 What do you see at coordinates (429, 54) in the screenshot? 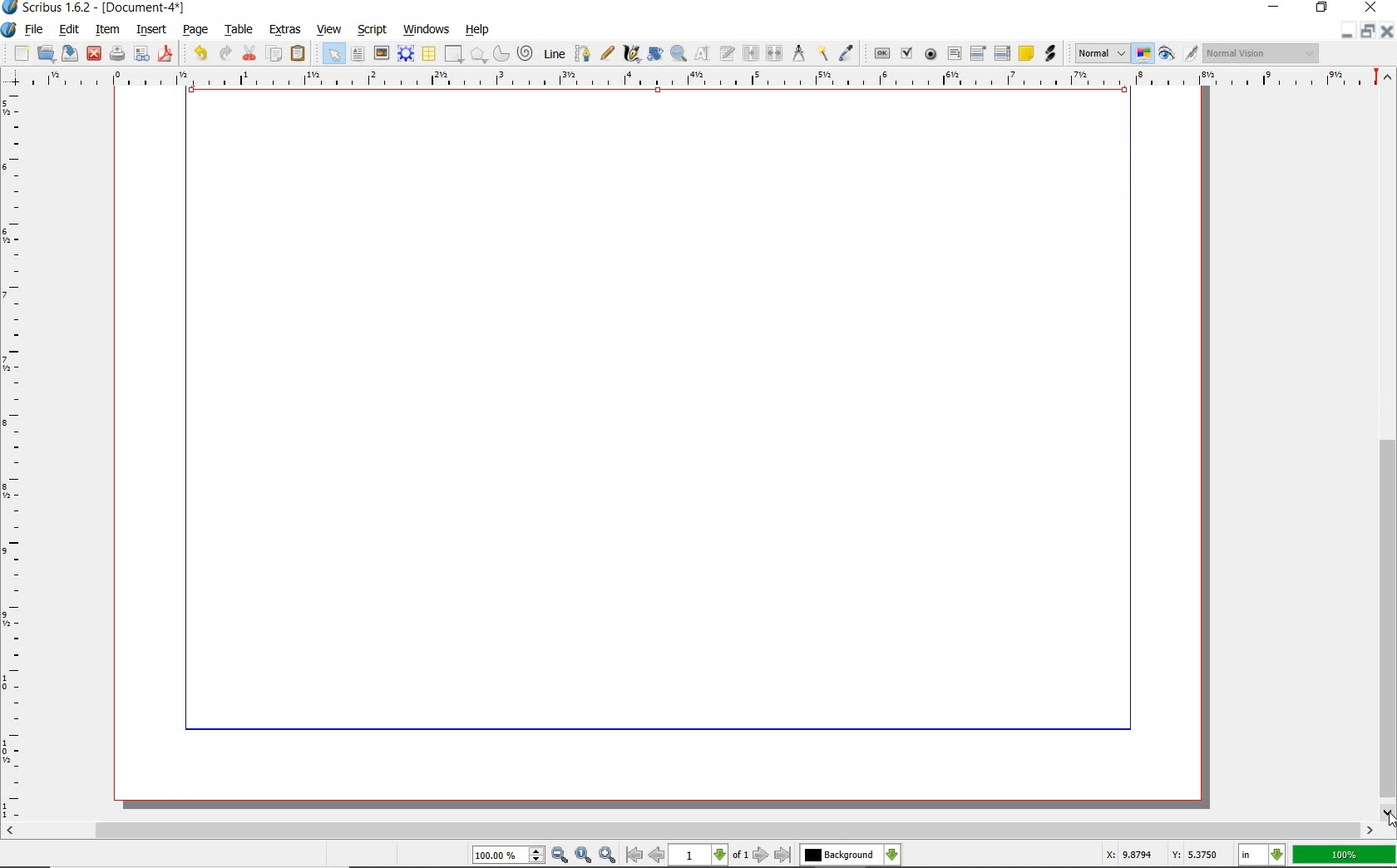
I see `table` at bounding box center [429, 54].